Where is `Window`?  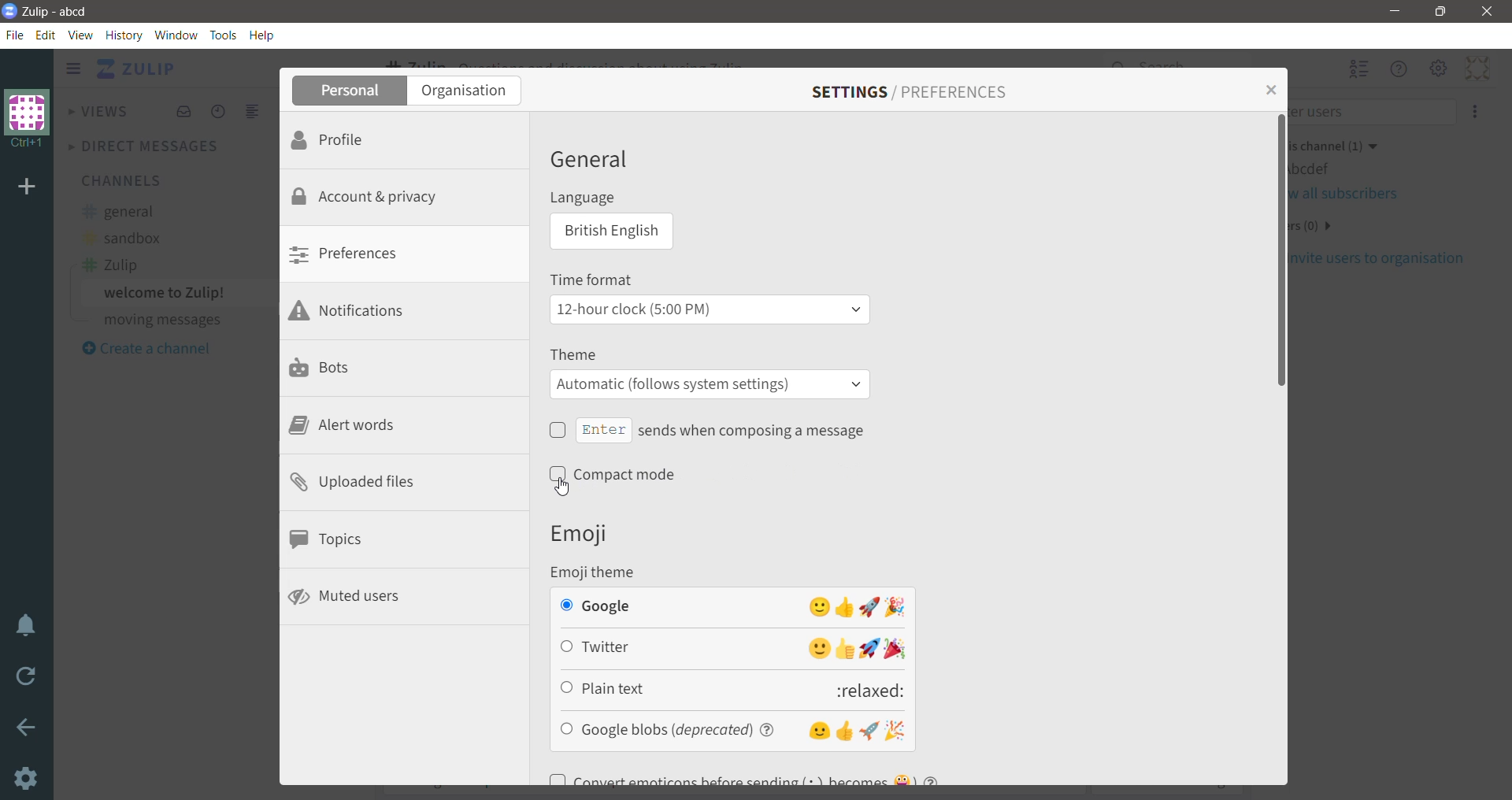 Window is located at coordinates (176, 35).